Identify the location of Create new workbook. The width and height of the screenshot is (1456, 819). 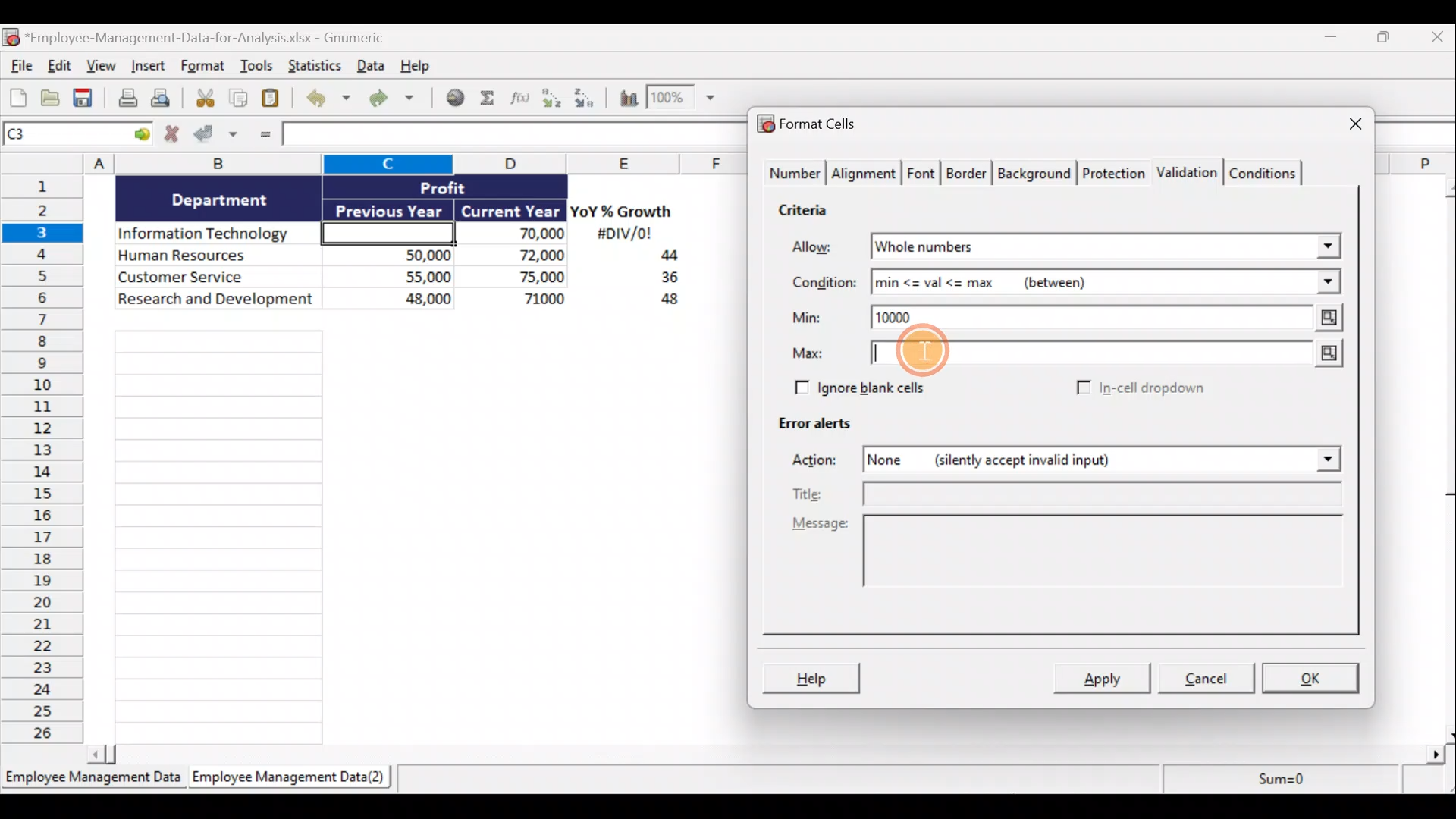
(18, 97).